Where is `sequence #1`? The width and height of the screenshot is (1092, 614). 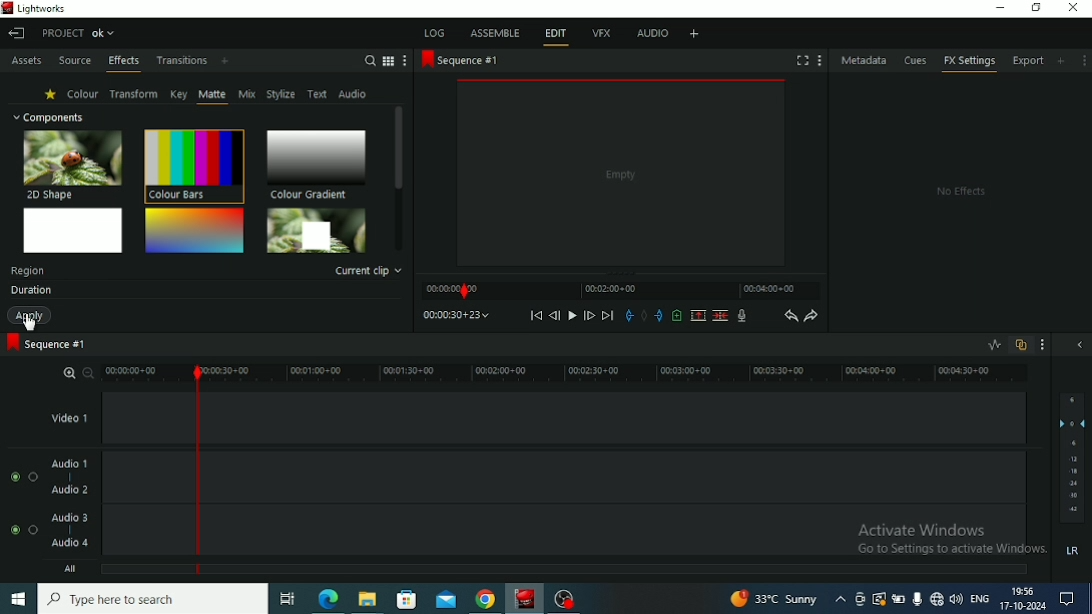 sequence #1 is located at coordinates (49, 345).